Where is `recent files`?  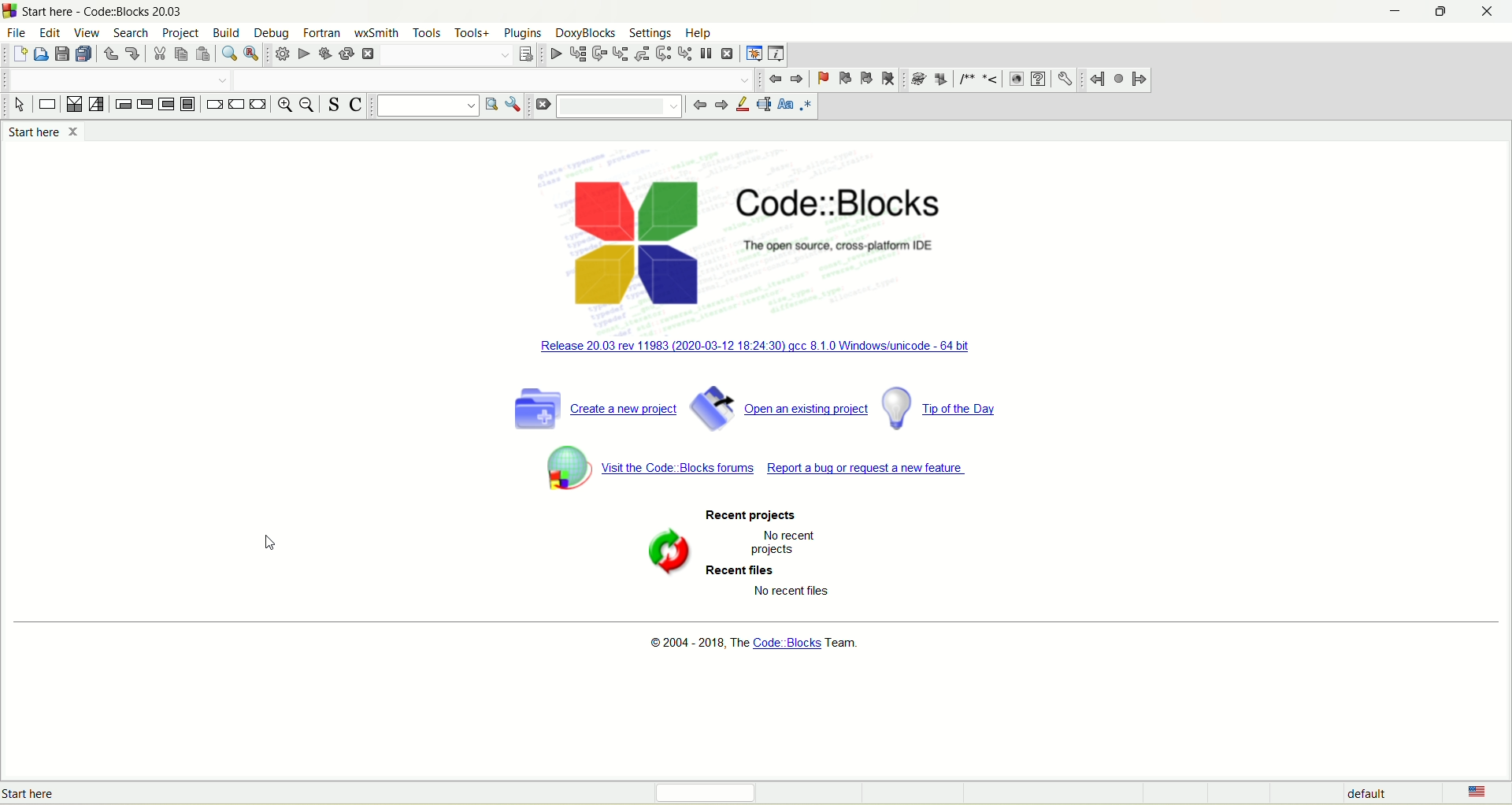 recent files is located at coordinates (745, 573).